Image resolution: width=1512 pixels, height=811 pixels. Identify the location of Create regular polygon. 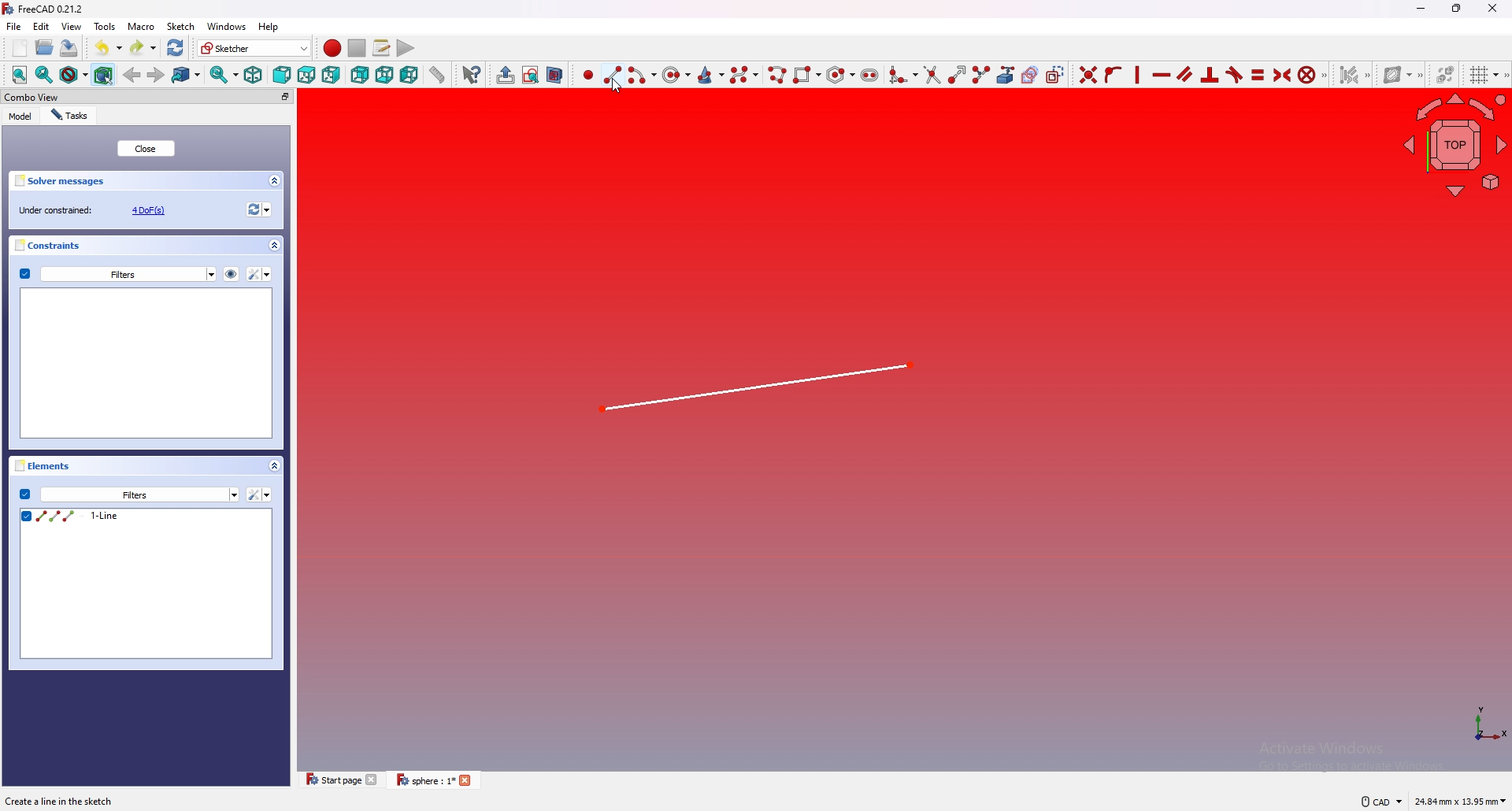
(839, 75).